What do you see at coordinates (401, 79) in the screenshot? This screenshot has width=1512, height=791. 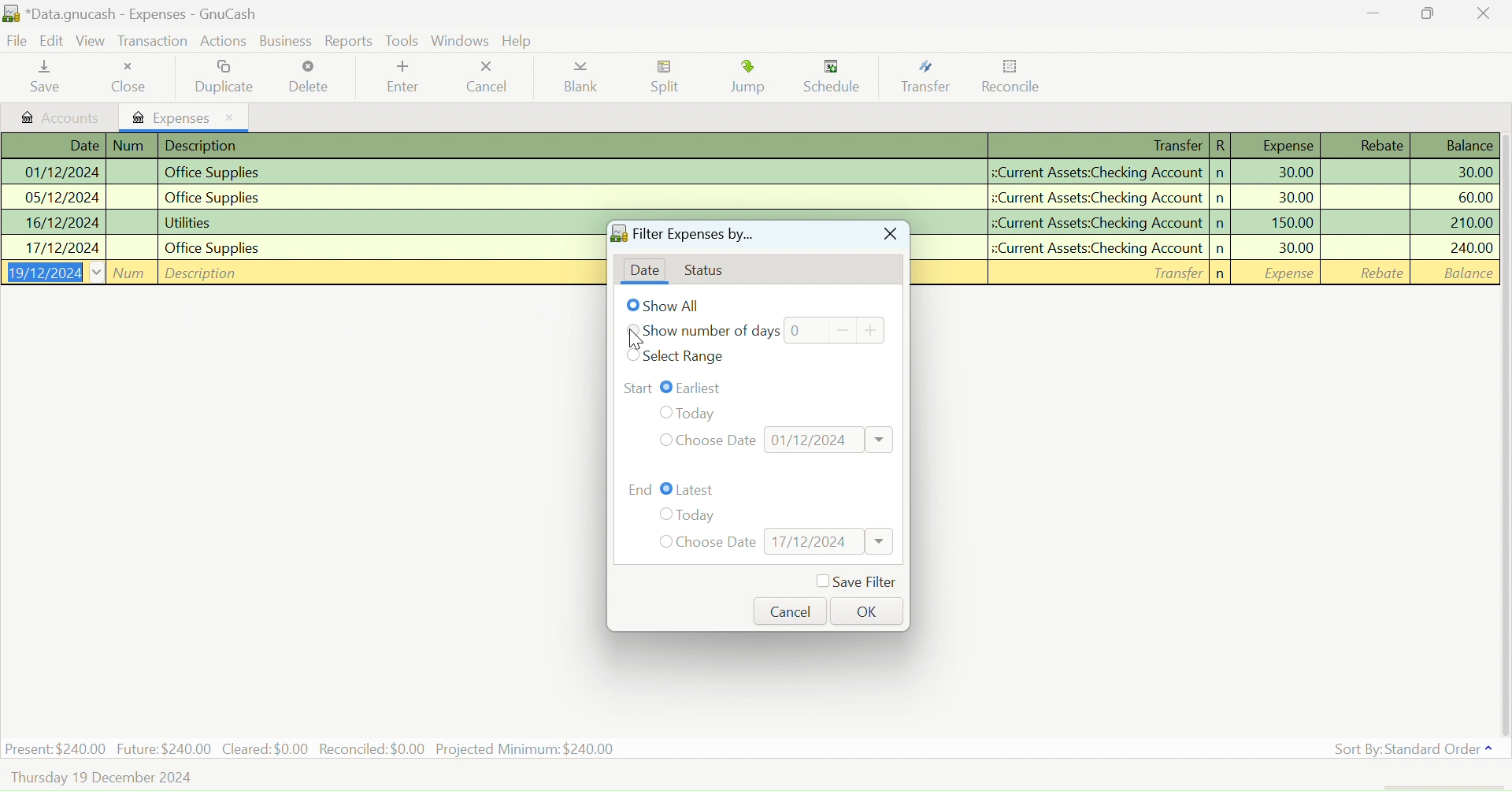 I see `Enter` at bounding box center [401, 79].